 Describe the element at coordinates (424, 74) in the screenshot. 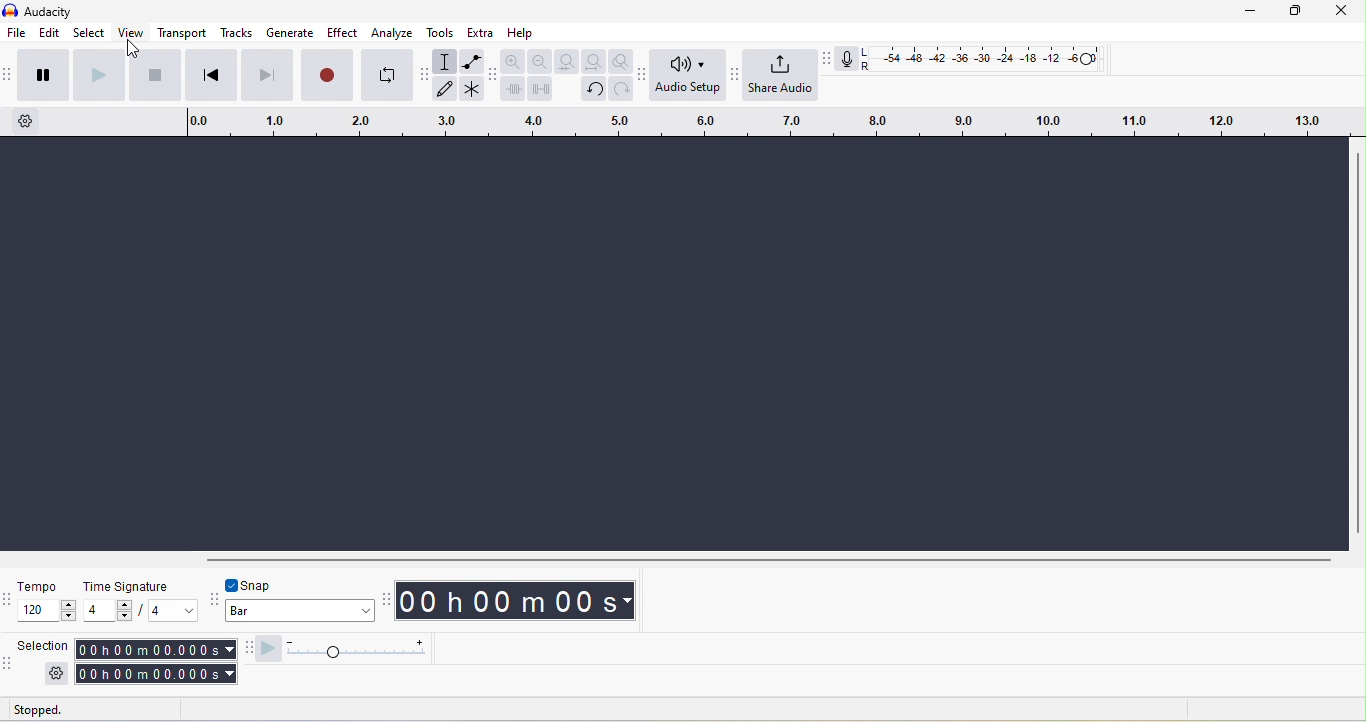

I see `audacity tools toolbar` at that location.